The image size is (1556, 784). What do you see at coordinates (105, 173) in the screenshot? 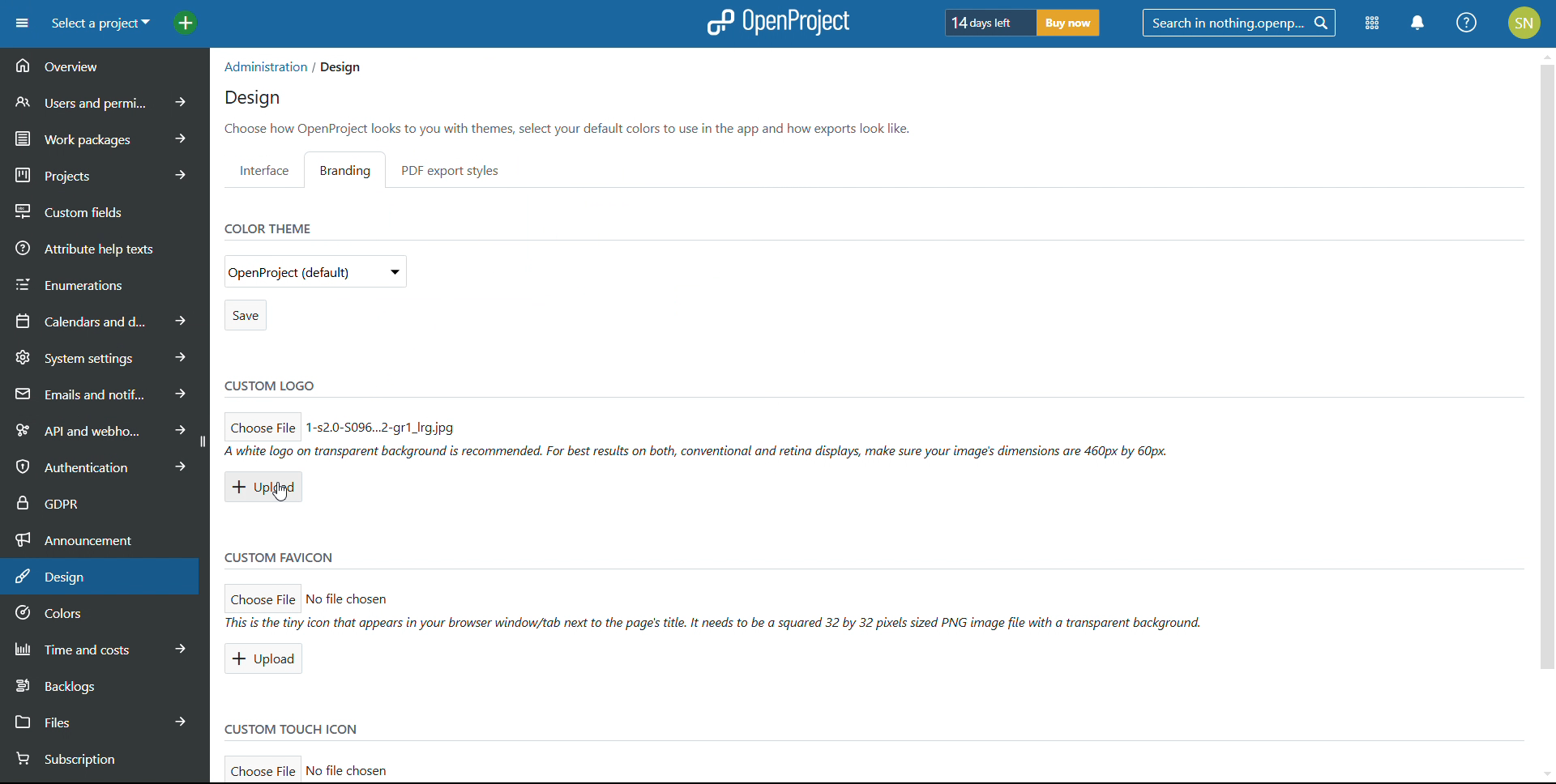
I see `projects` at bounding box center [105, 173].